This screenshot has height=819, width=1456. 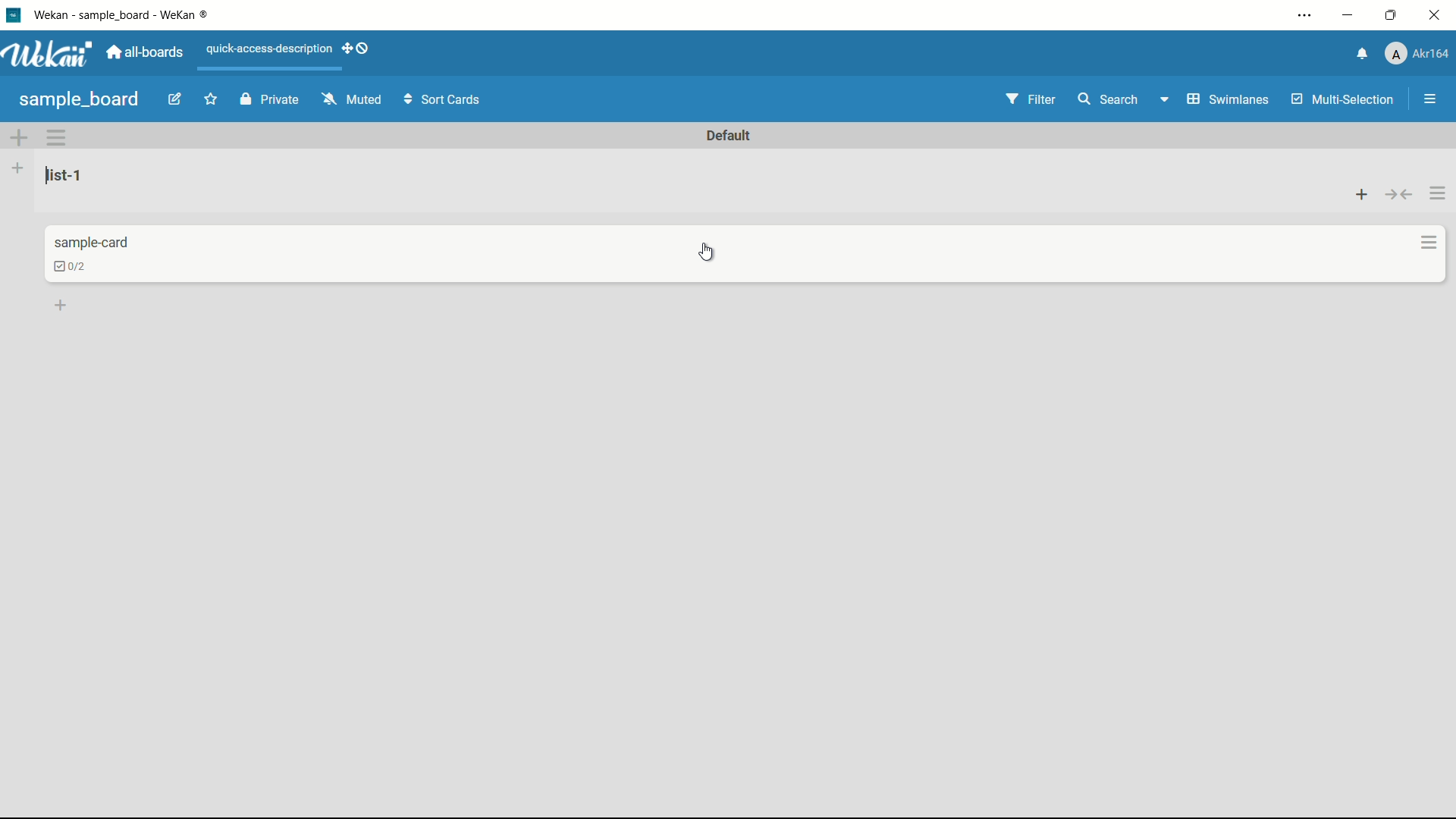 What do you see at coordinates (1392, 14) in the screenshot?
I see `maximize` at bounding box center [1392, 14].